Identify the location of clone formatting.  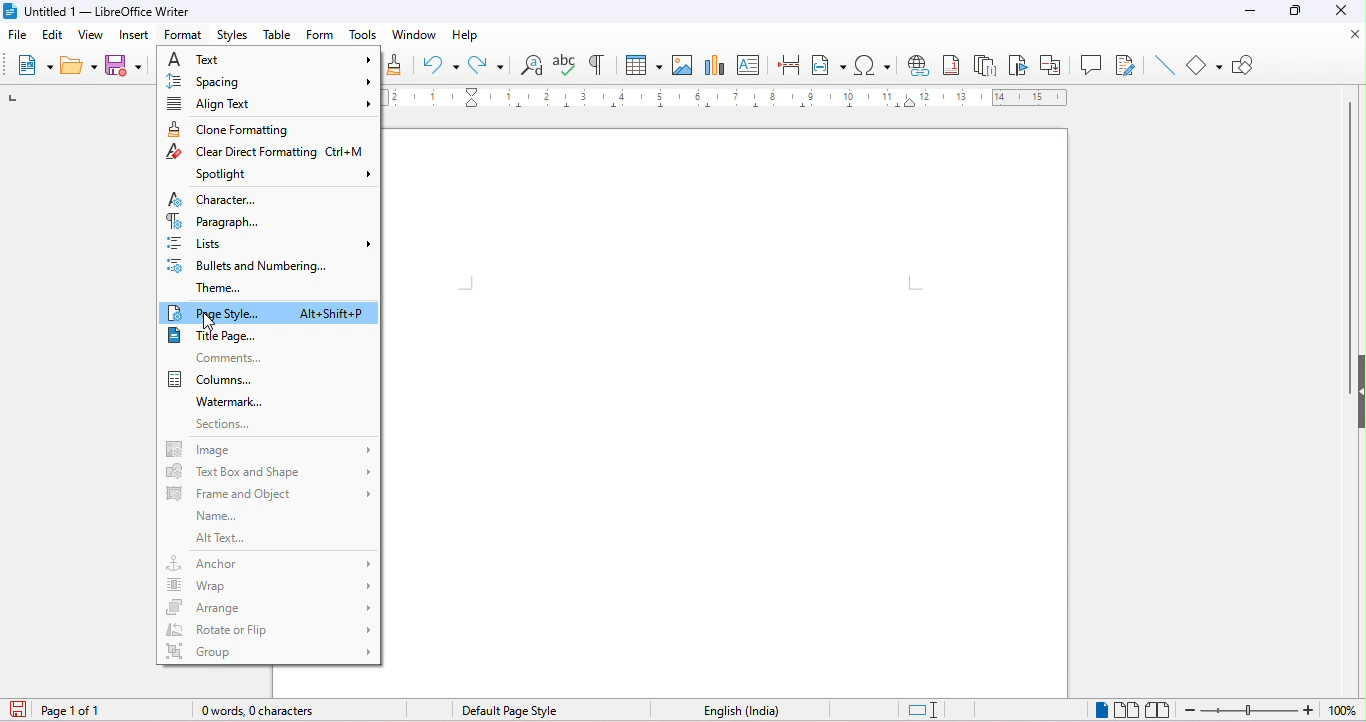
(228, 130).